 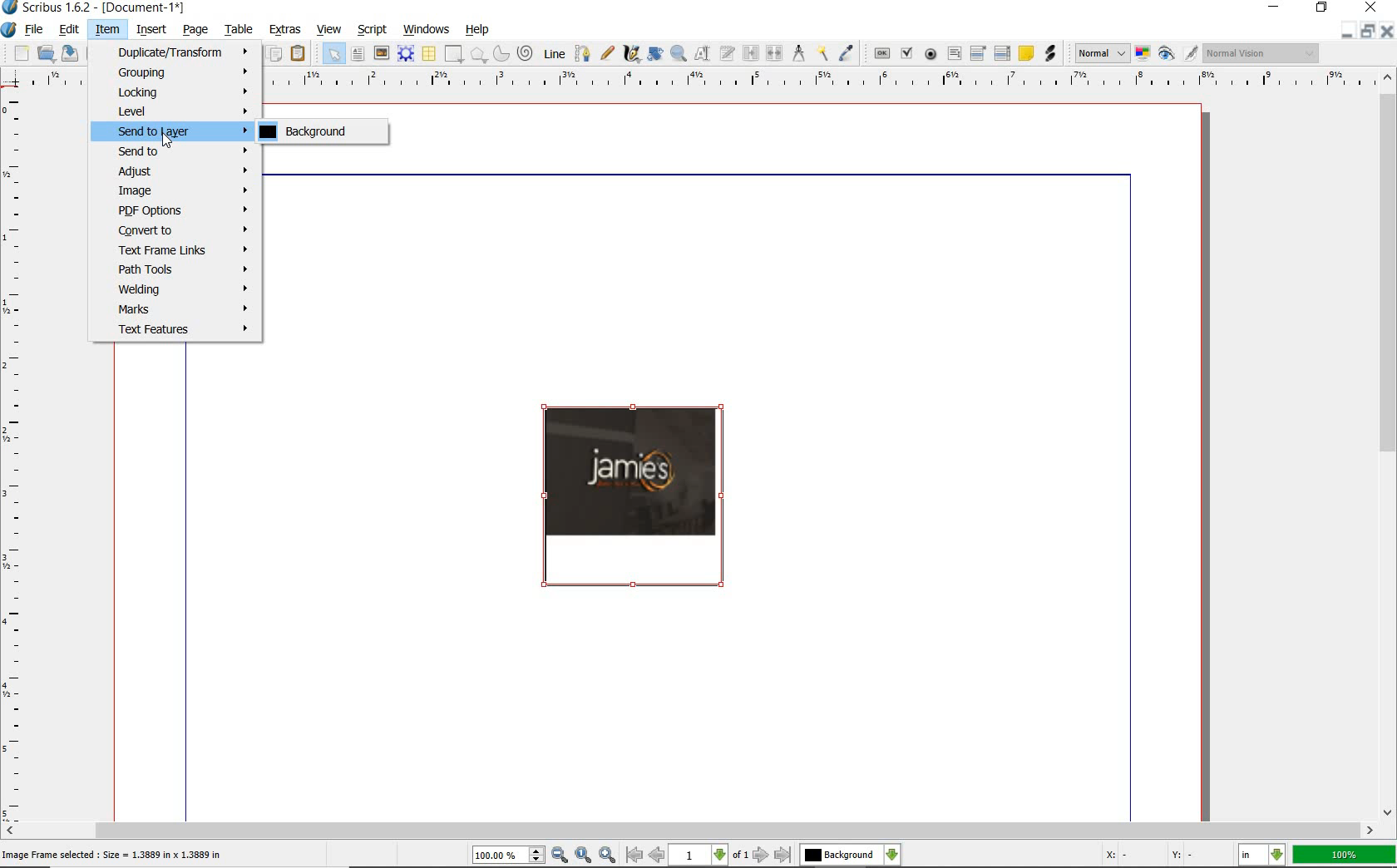 I want to click on Grouping, so click(x=175, y=72).